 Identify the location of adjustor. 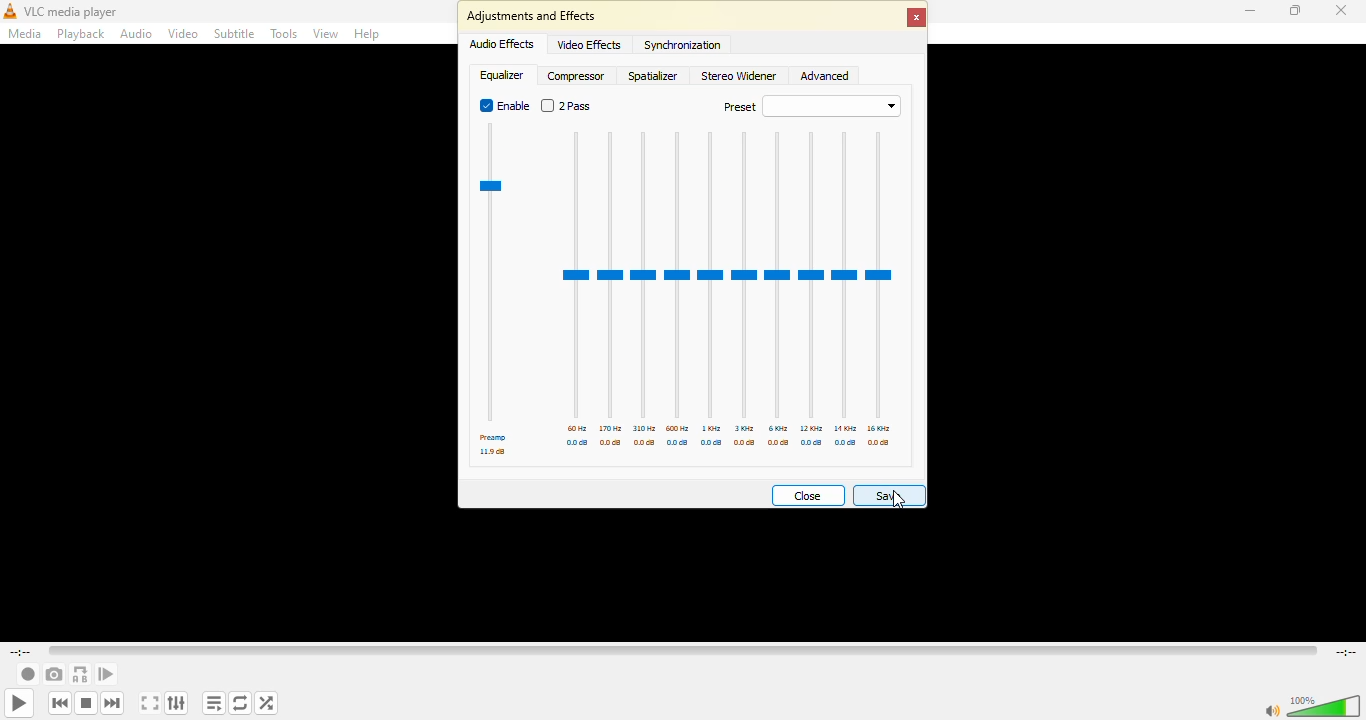
(777, 275).